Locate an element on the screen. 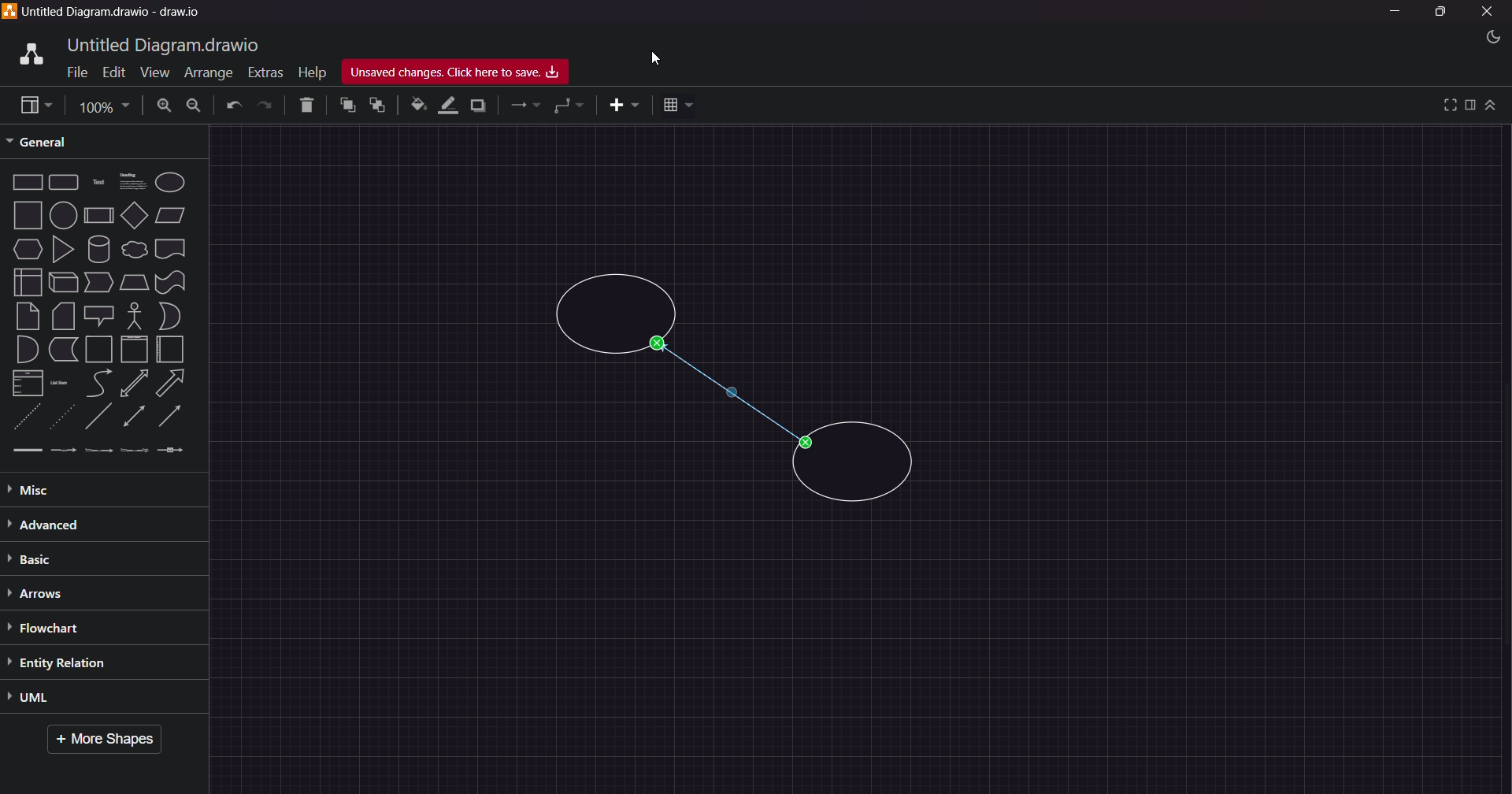  Zoom In is located at coordinates (165, 105).